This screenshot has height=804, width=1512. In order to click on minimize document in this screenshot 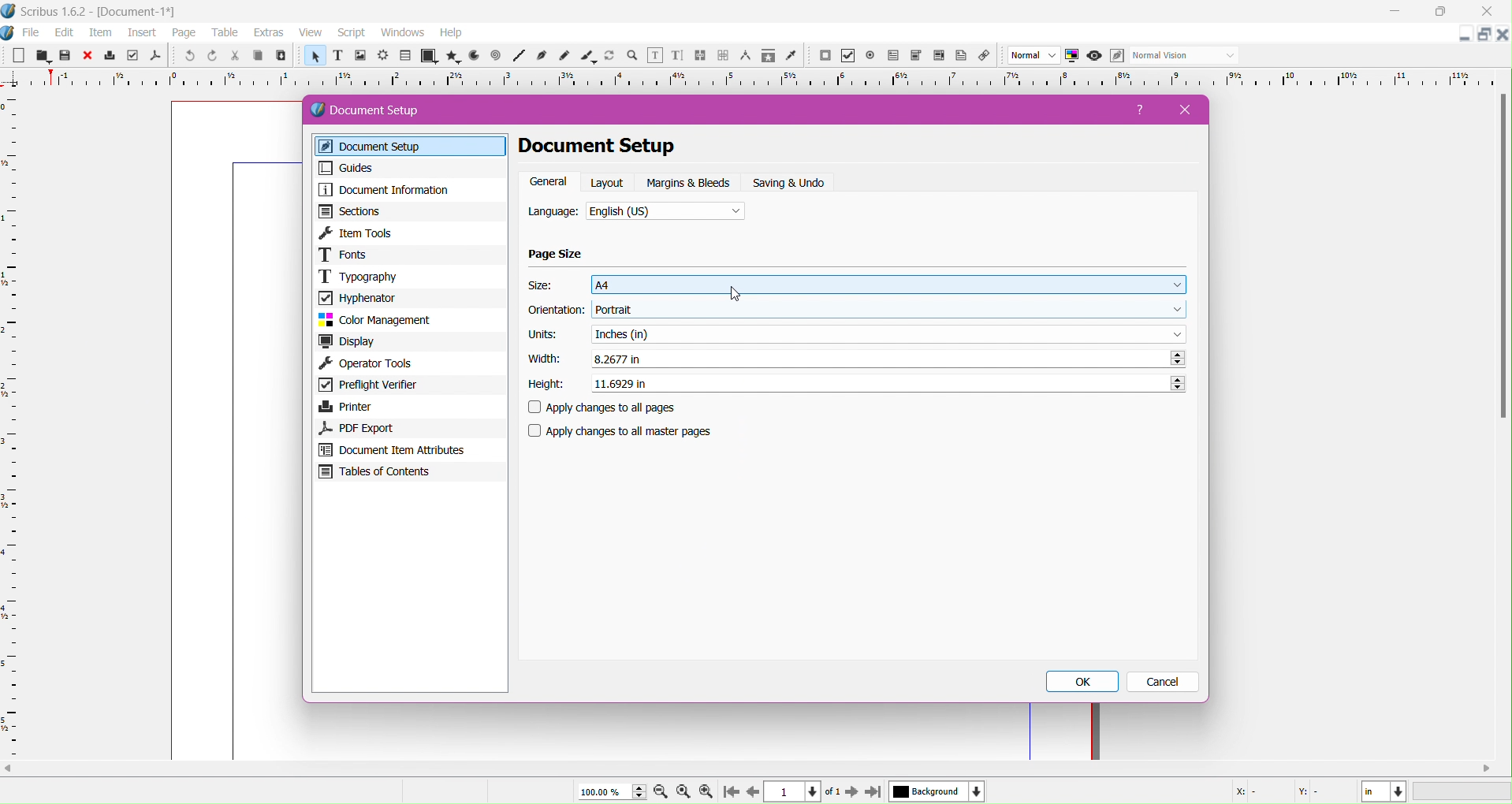, I will do `click(1460, 37)`.